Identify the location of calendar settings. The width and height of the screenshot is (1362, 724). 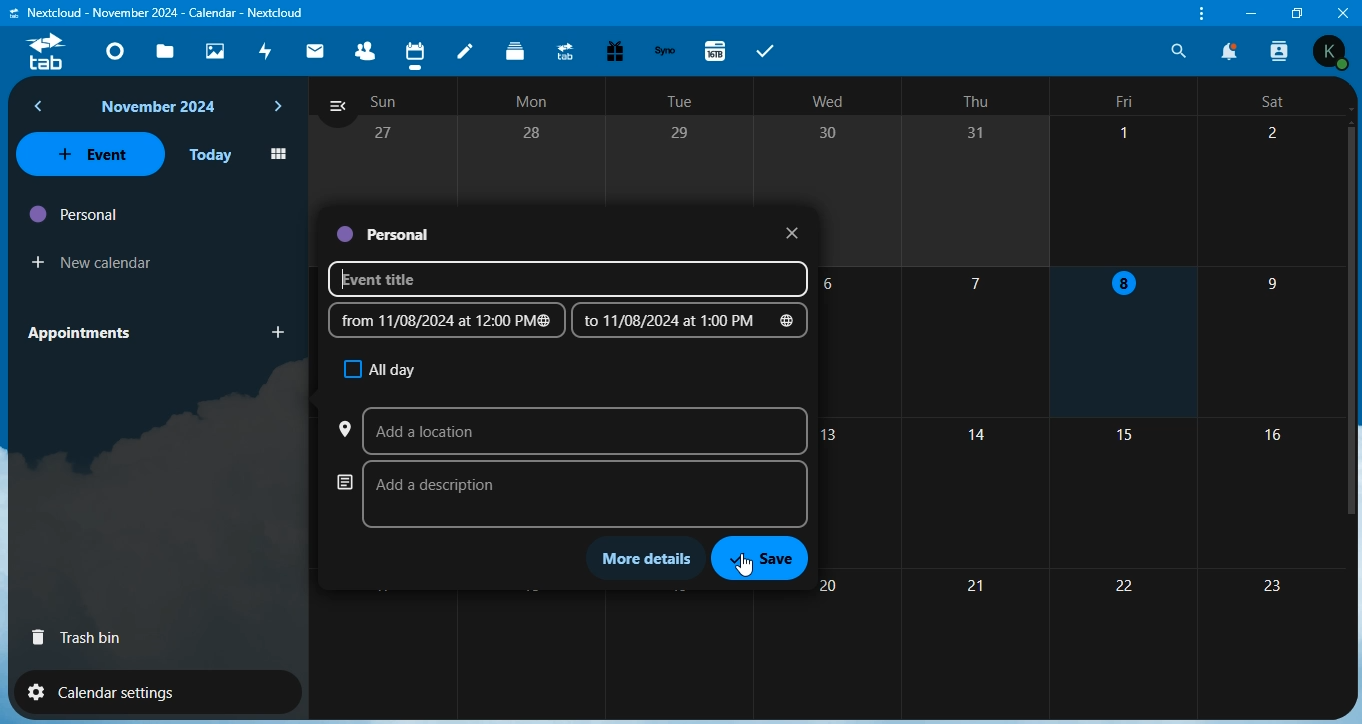
(128, 691).